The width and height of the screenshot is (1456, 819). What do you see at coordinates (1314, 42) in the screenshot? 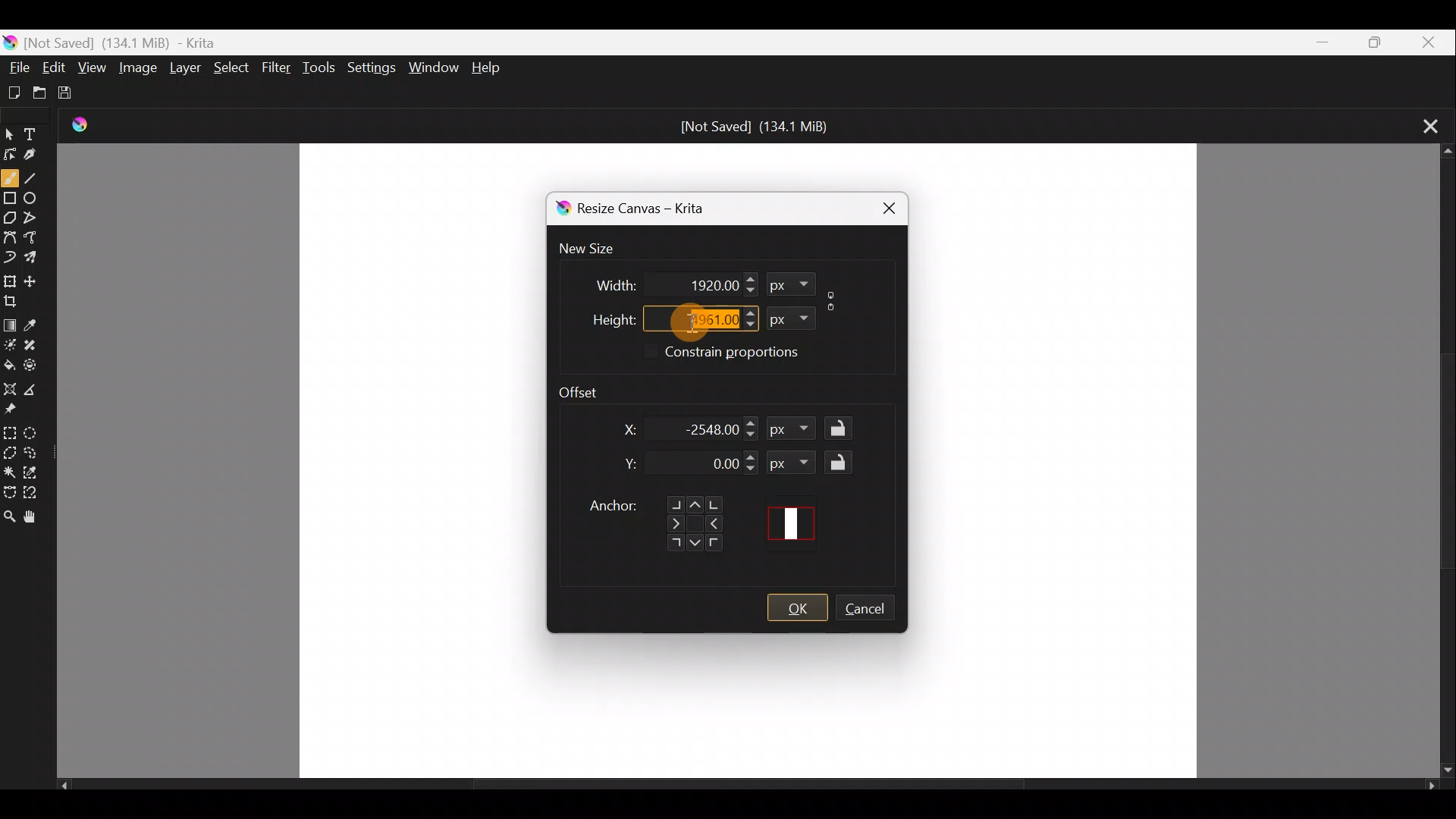
I see `Minimize` at bounding box center [1314, 42].